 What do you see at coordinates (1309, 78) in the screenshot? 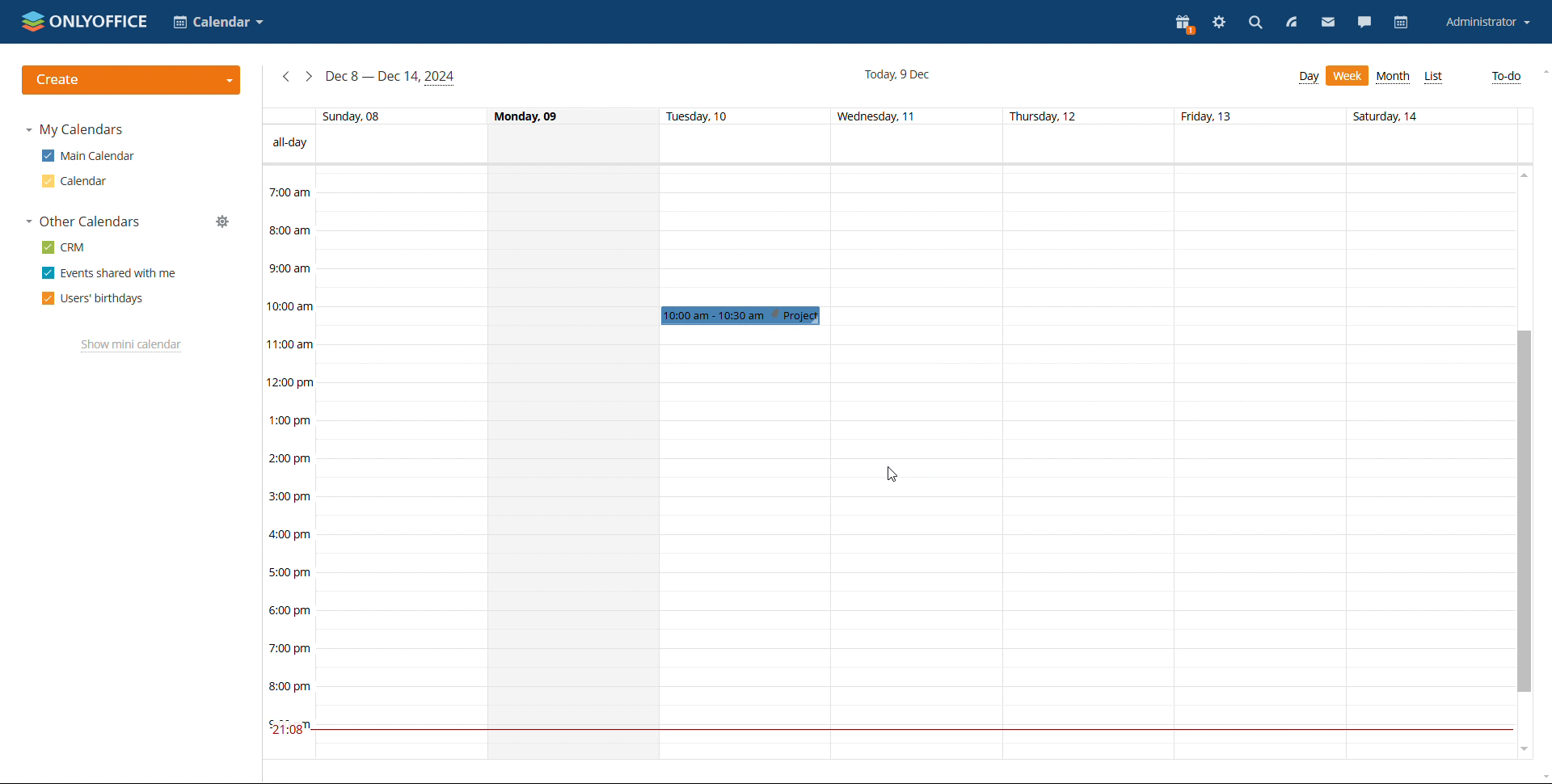
I see `day view` at bounding box center [1309, 78].